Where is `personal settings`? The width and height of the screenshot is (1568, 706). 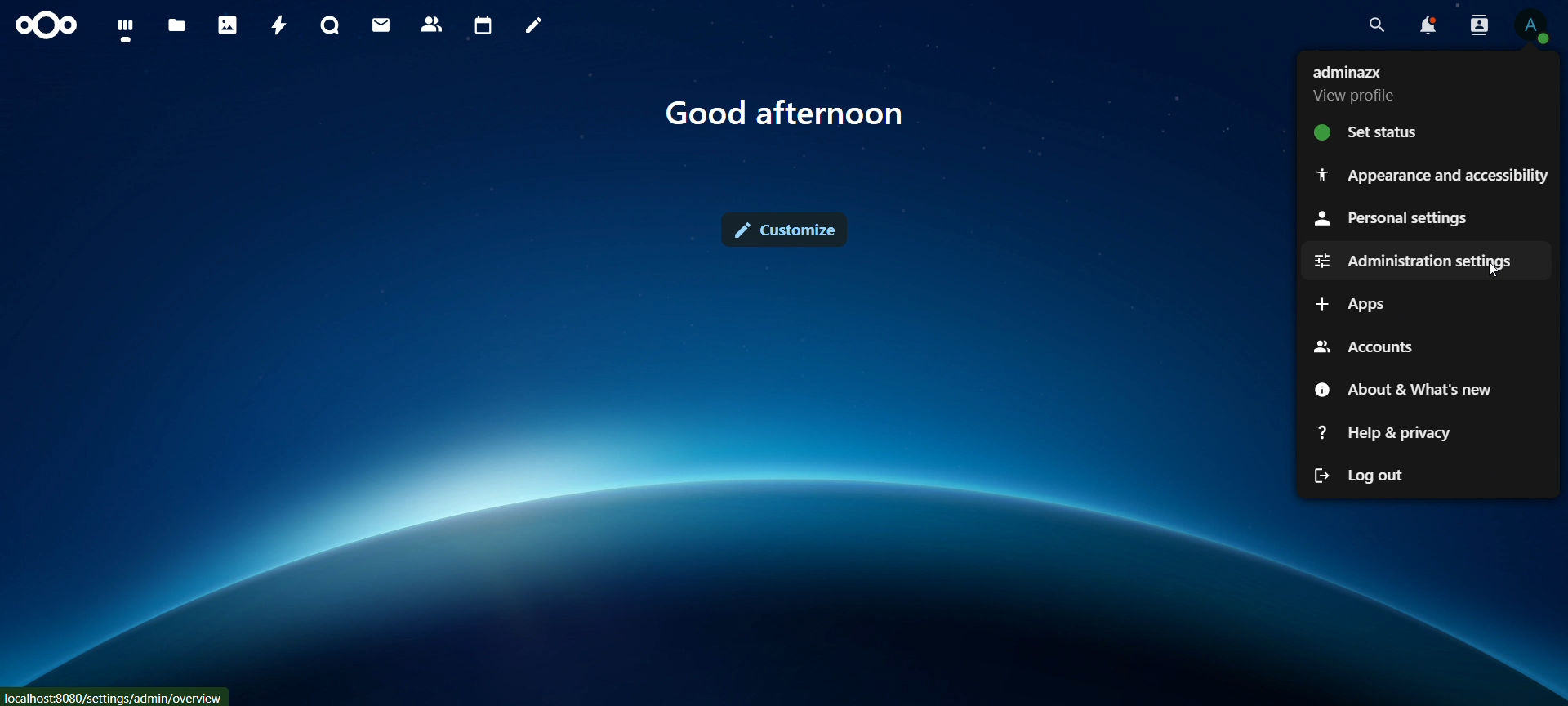 personal settings is located at coordinates (1391, 215).